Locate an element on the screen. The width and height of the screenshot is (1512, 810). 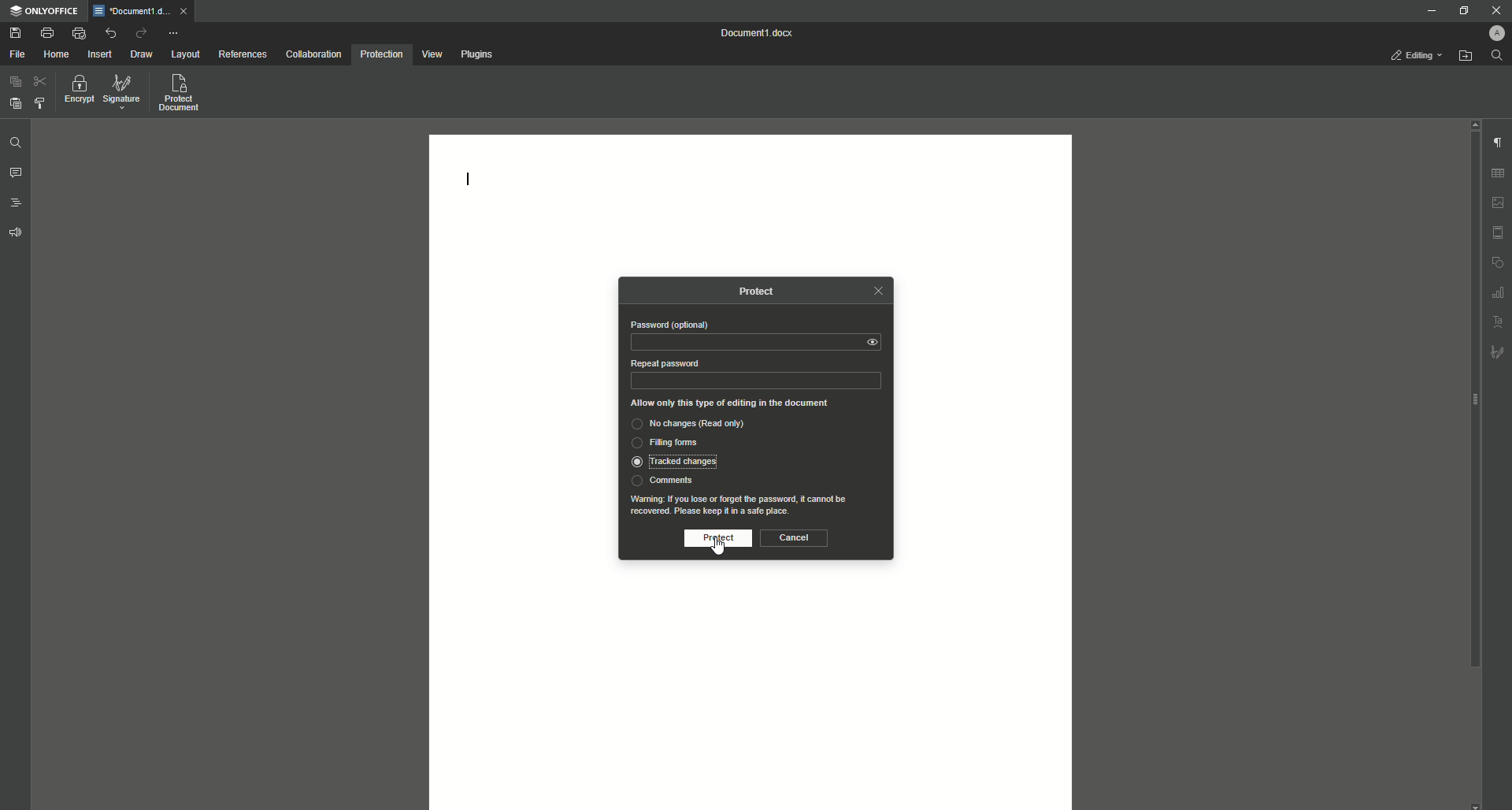
Undo is located at coordinates (110, 33).